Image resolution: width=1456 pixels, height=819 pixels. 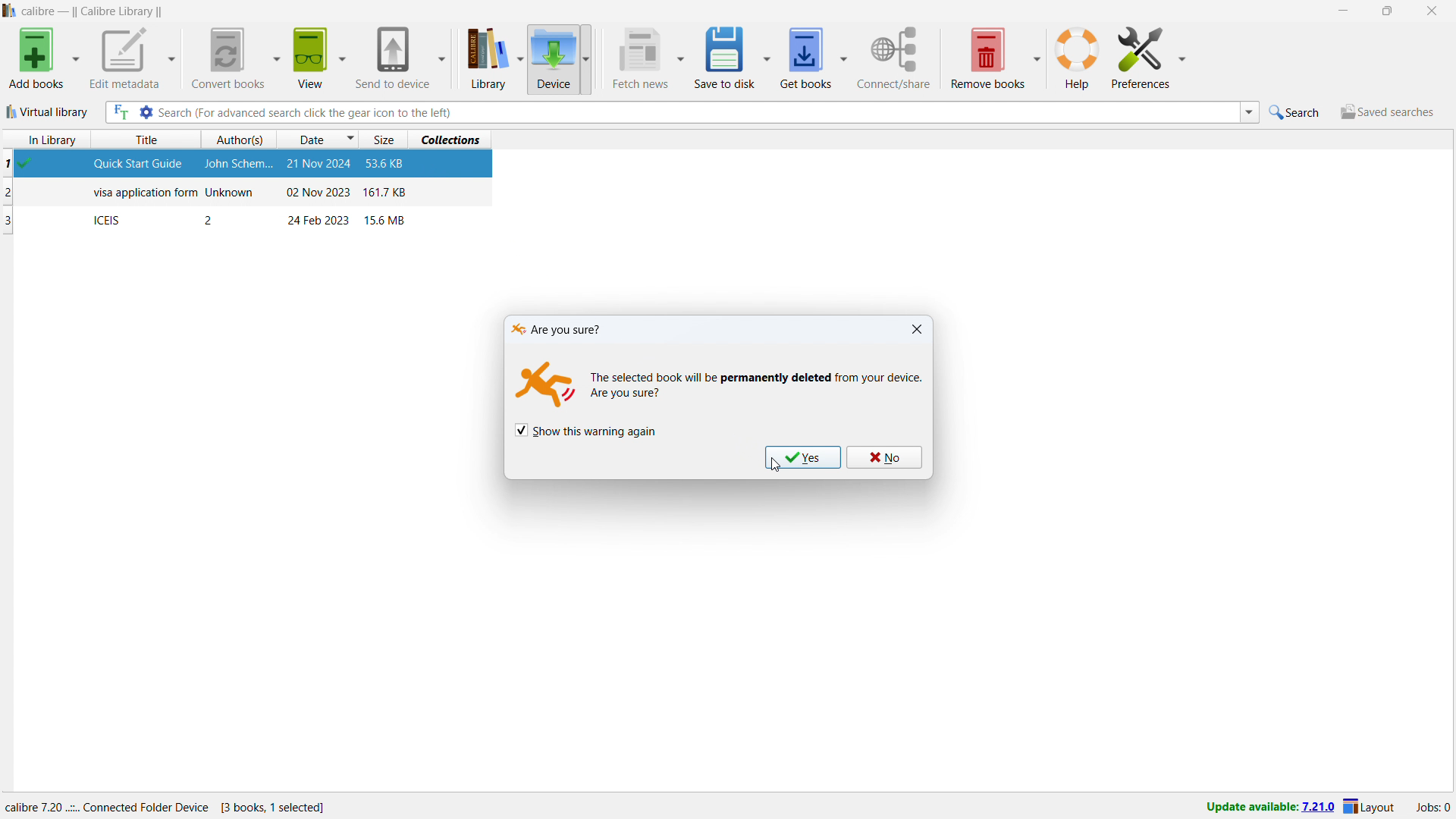 What do you see at coordinates (1297, 112) in the screenshot?
I see `quick search` at bounding box center [1297, 112].